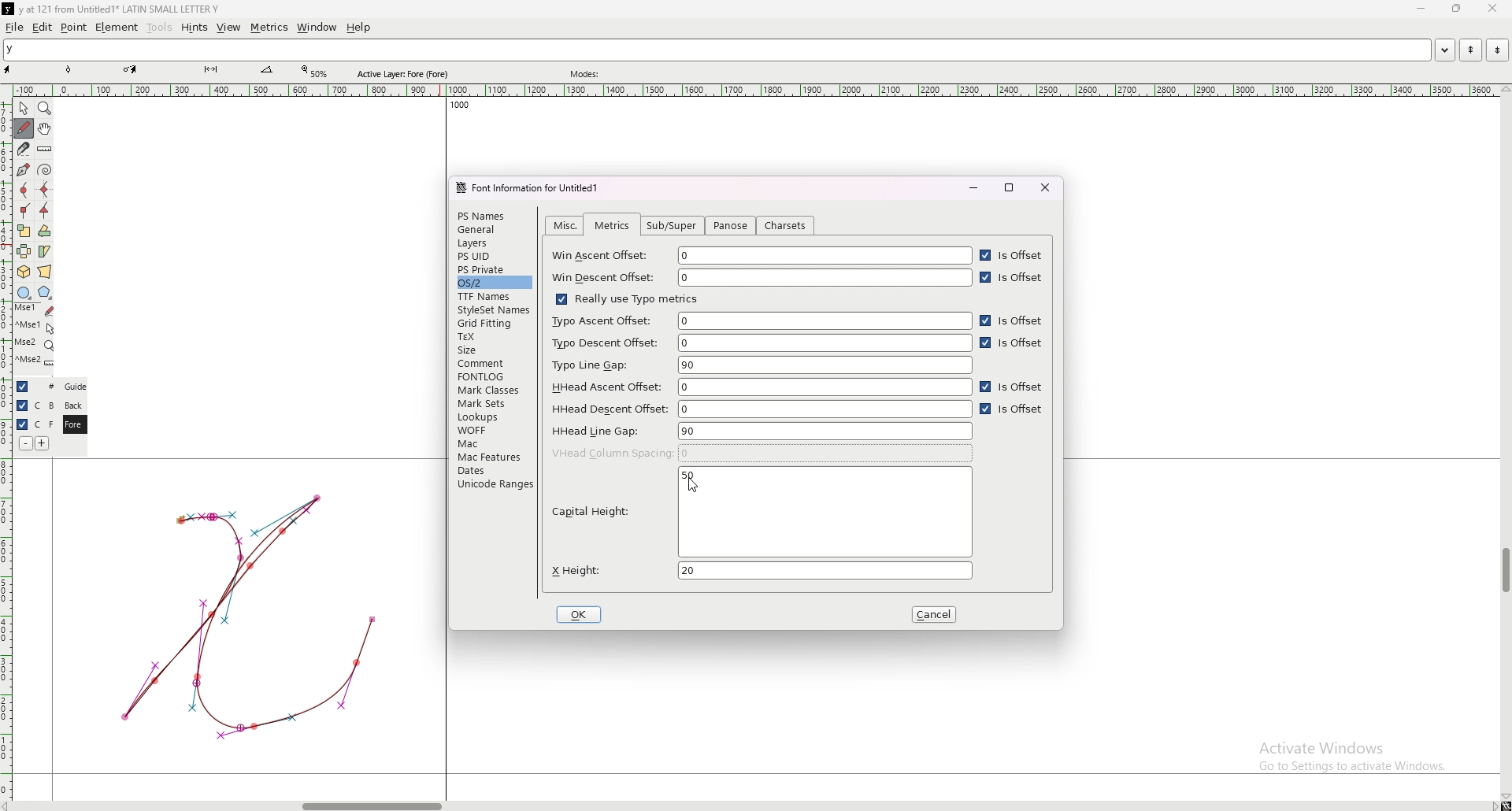  What do you see at coordinates (1491, 9) in the screenshot?
I see `close` at bounding box center [1491, 9].